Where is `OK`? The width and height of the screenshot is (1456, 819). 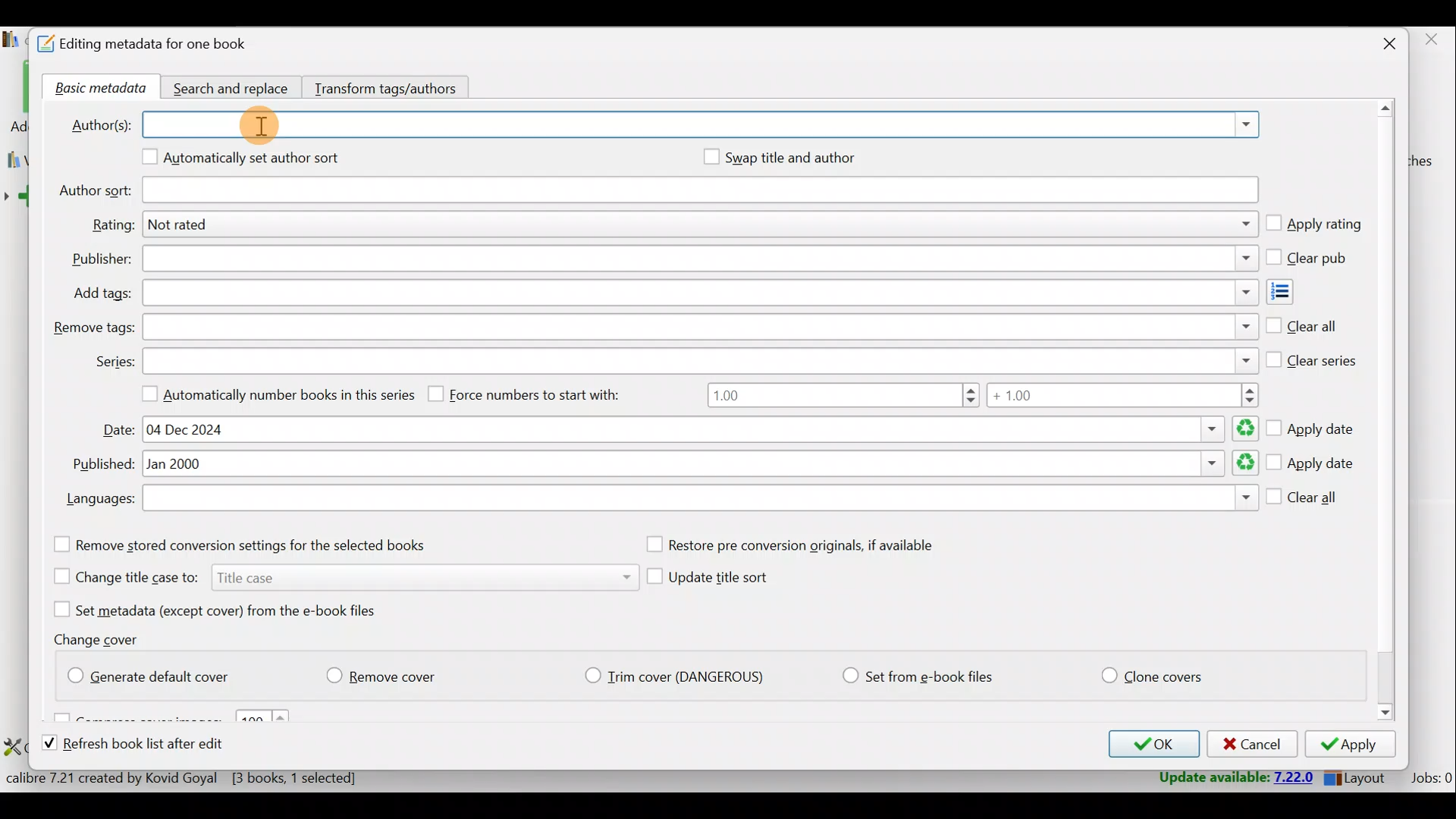
OK is located at coordinates (1150, 744).